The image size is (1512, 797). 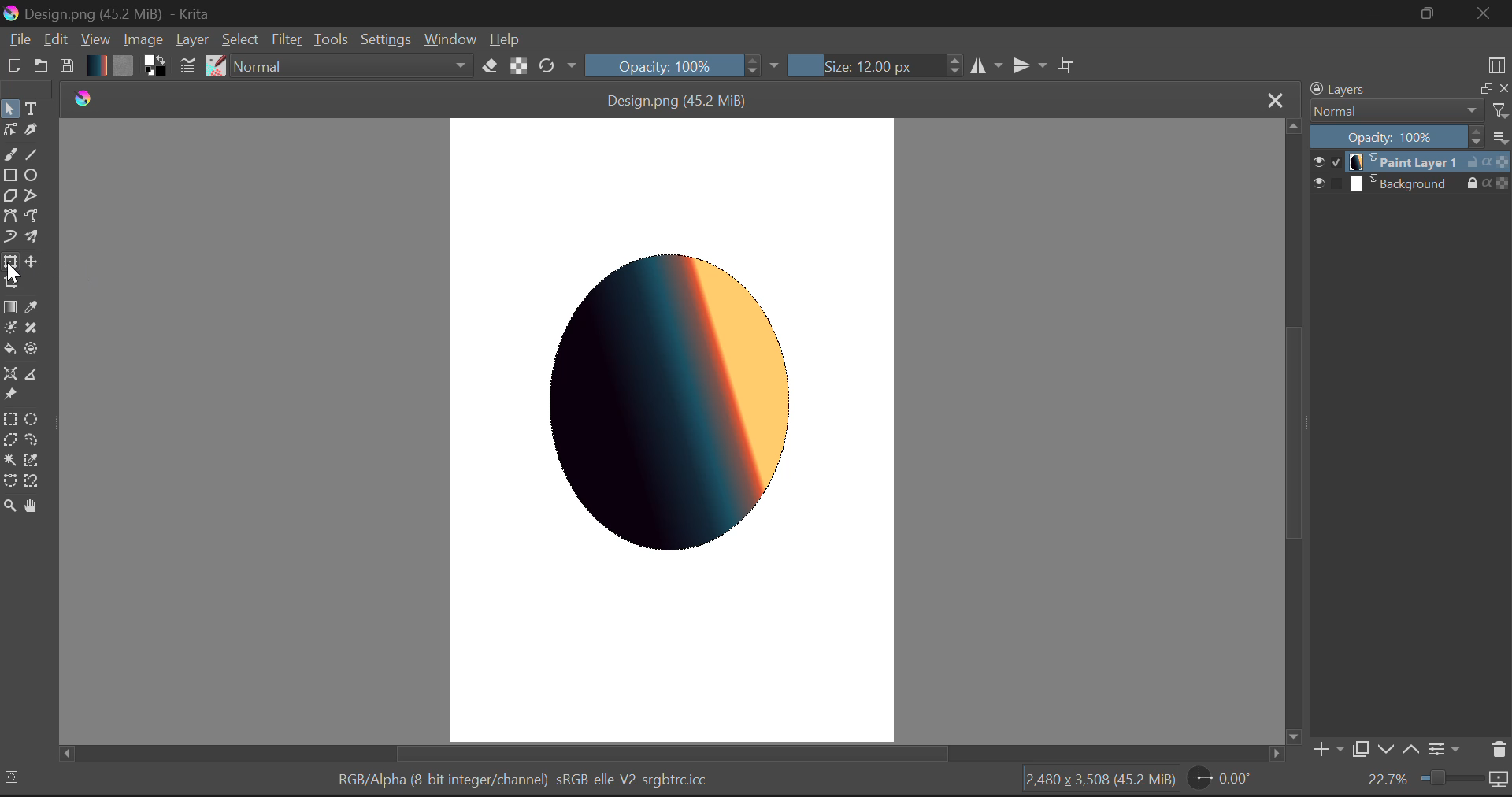 I want to click on Scroll Bar, so click(x=1291, y=430).